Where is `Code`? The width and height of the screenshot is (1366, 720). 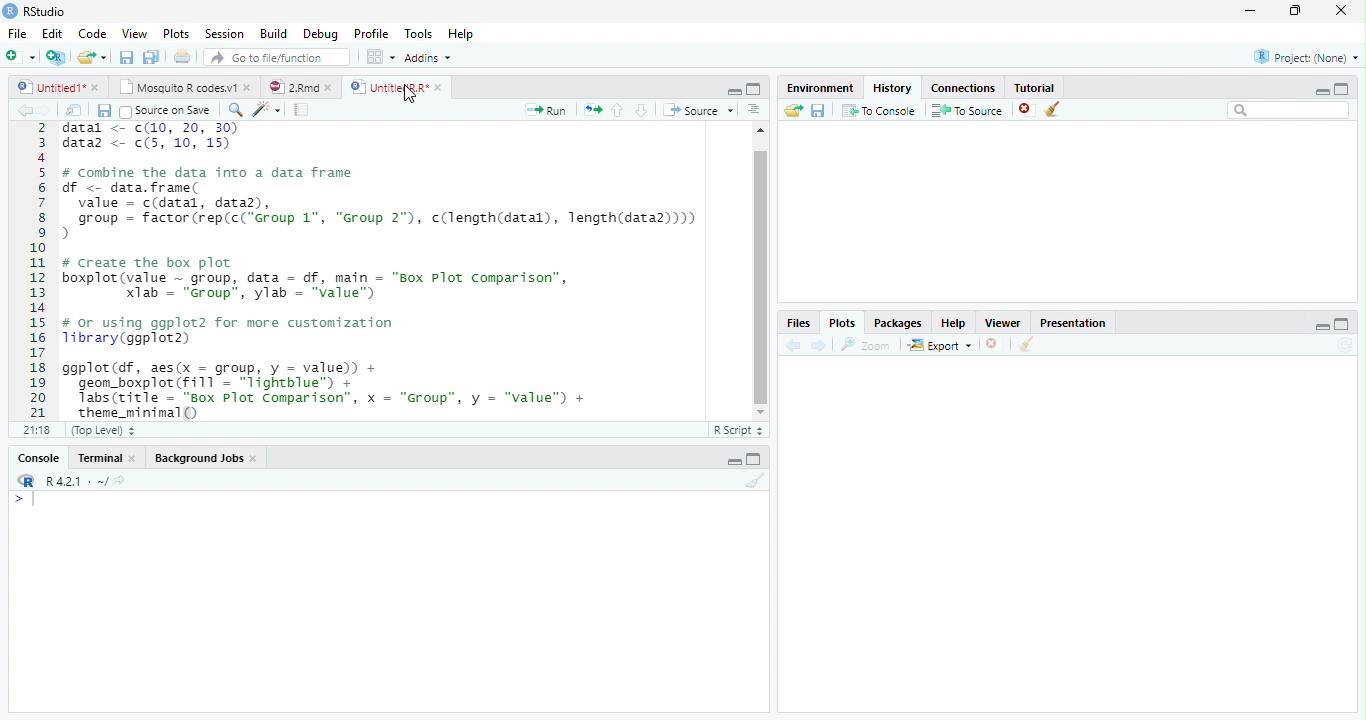 Code is located at coordinates (91, 34).